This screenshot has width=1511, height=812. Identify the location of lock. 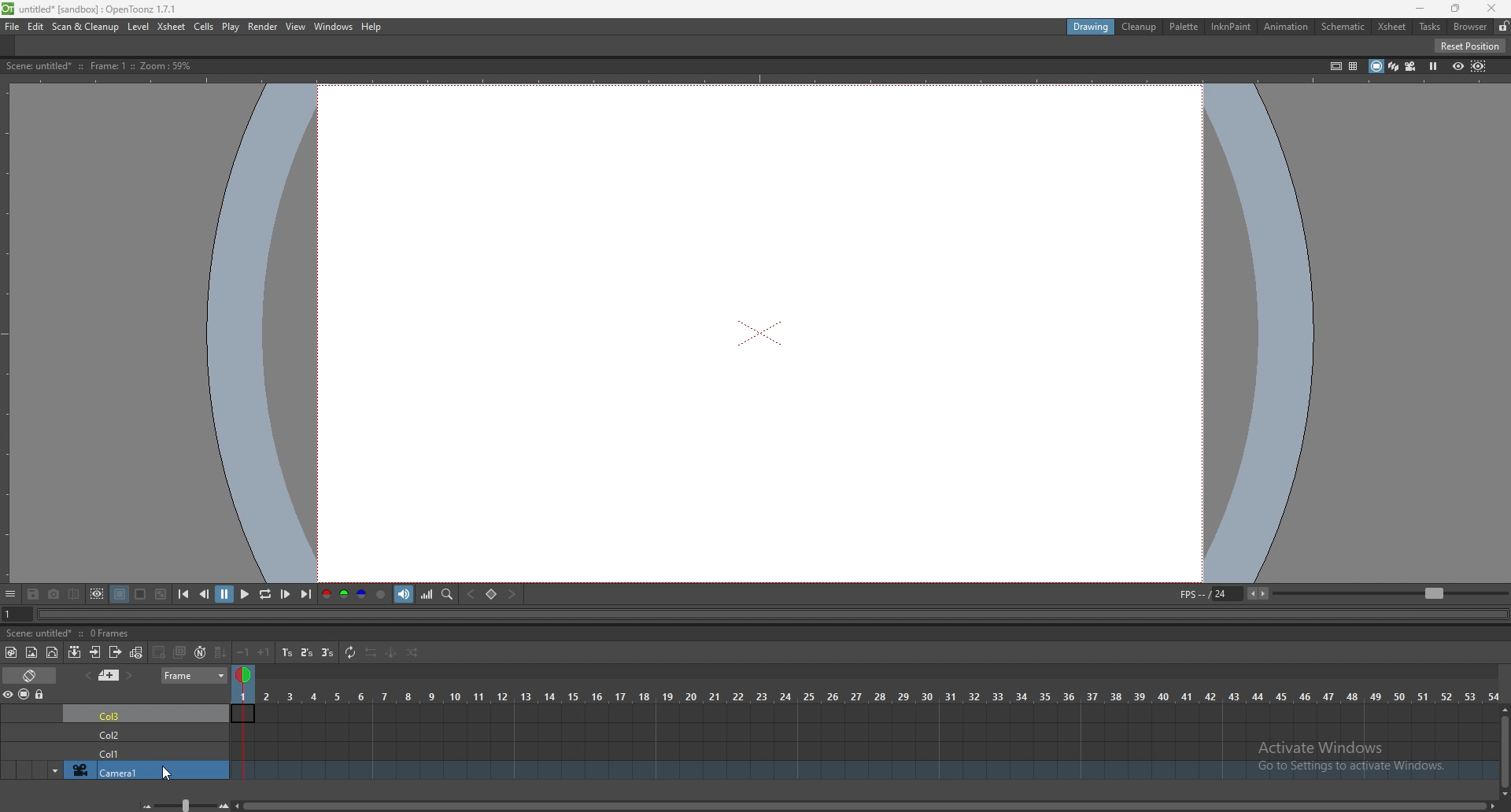
(41, 695).